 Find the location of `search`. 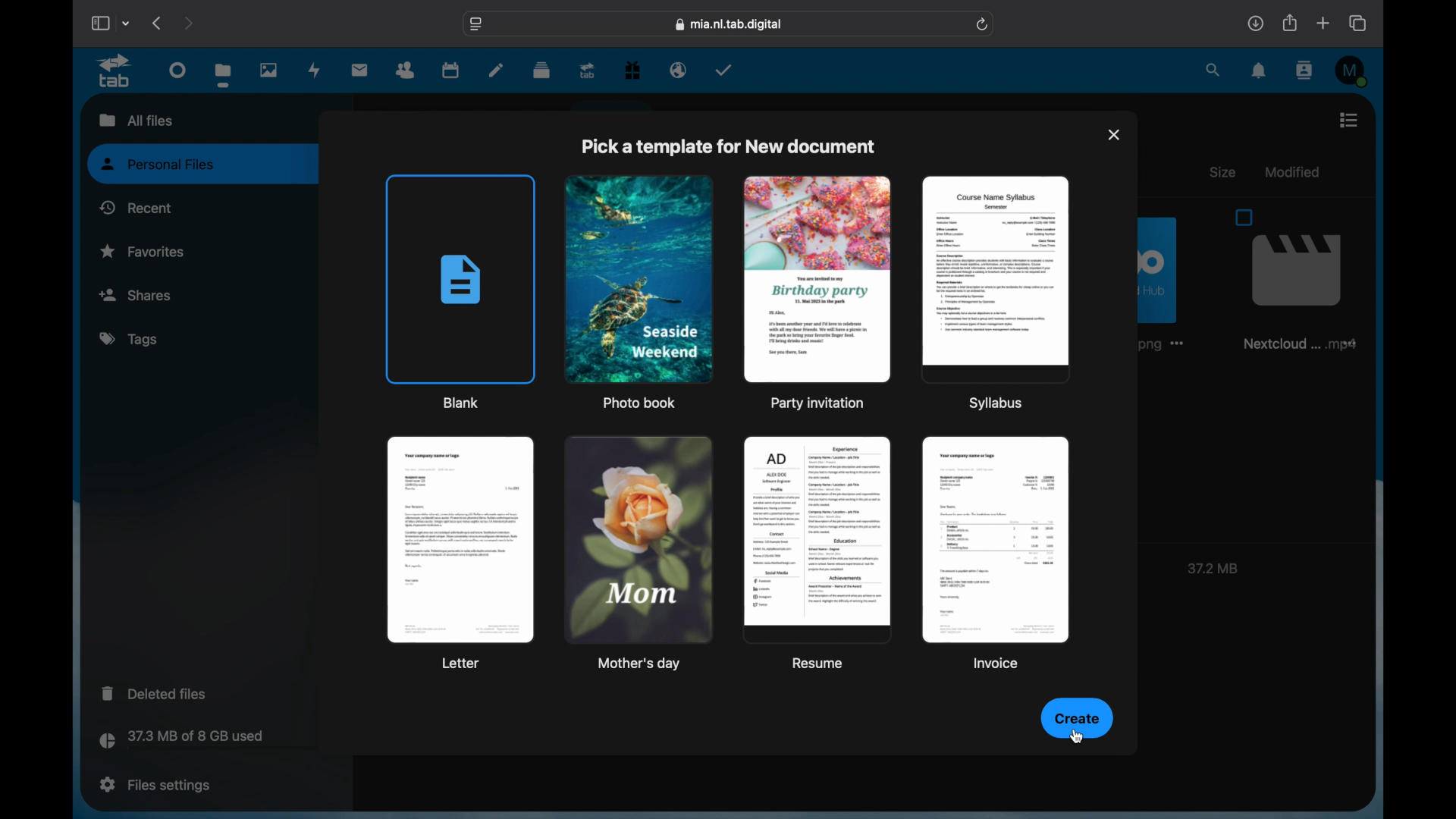

search is located at coordinates (1214, 71).